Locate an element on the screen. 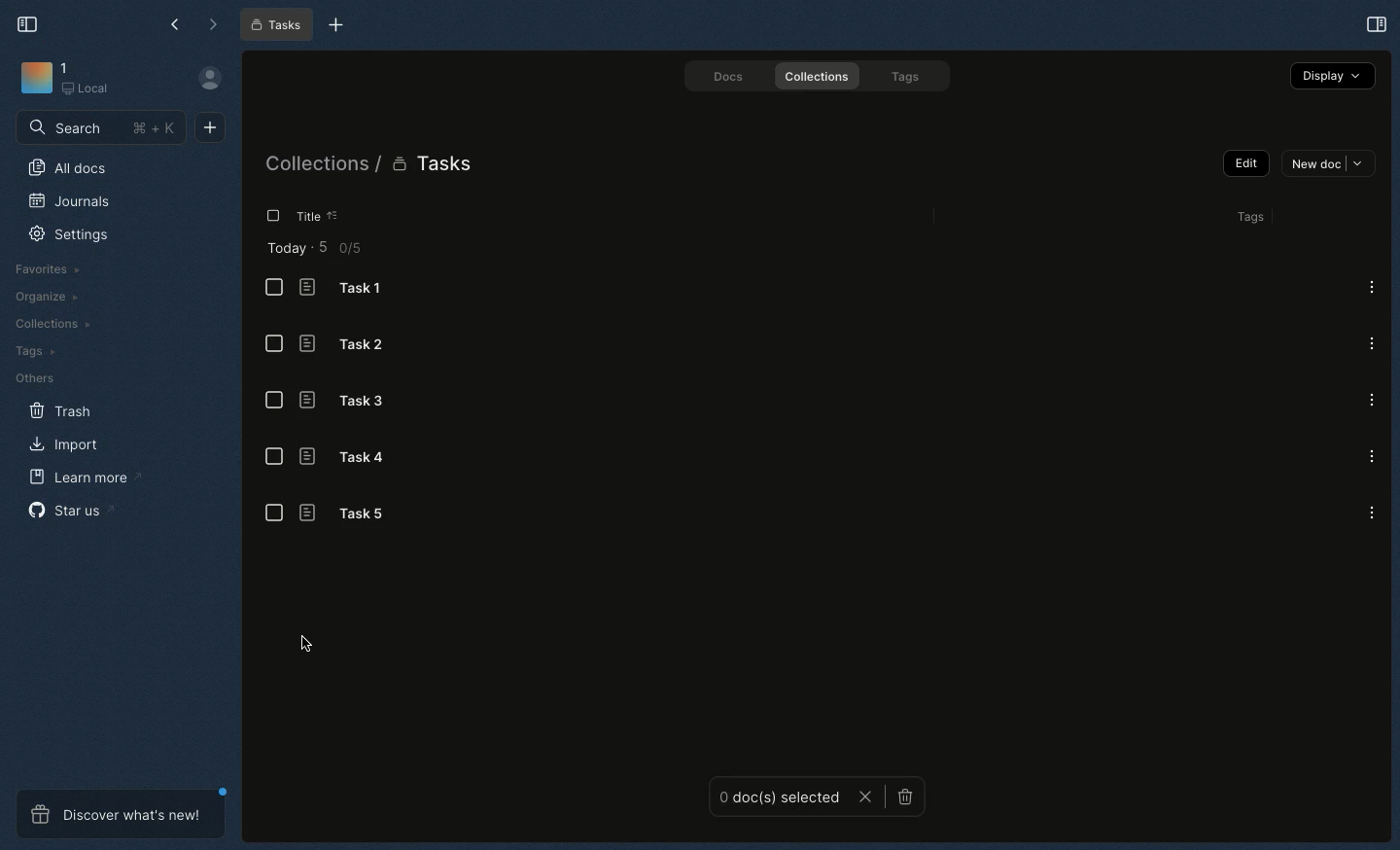 The width and height of the screenshot is (1400, 850). Task 4 is located at coordinates (347, 458).